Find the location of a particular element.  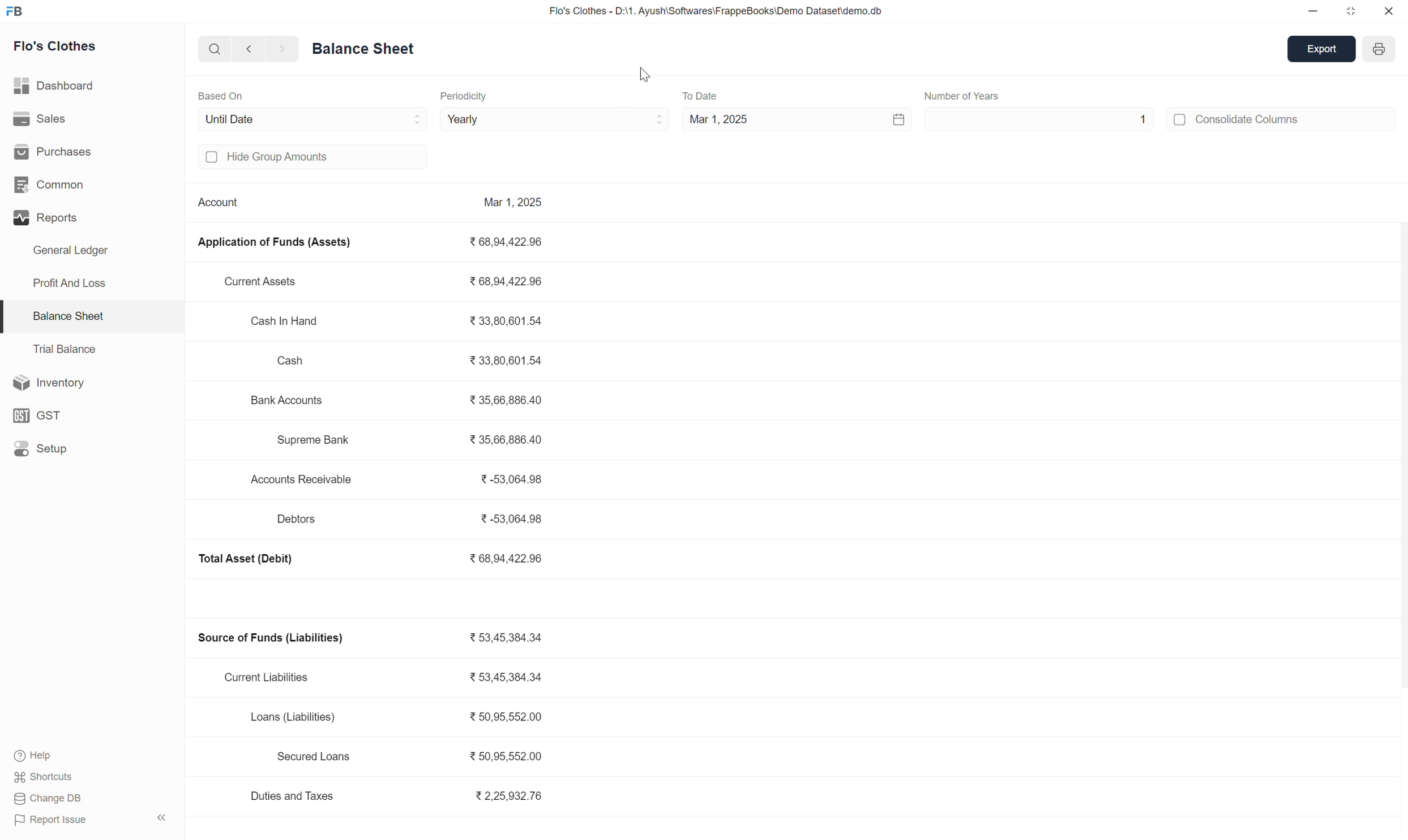

search is located at coordinates (212, 49).